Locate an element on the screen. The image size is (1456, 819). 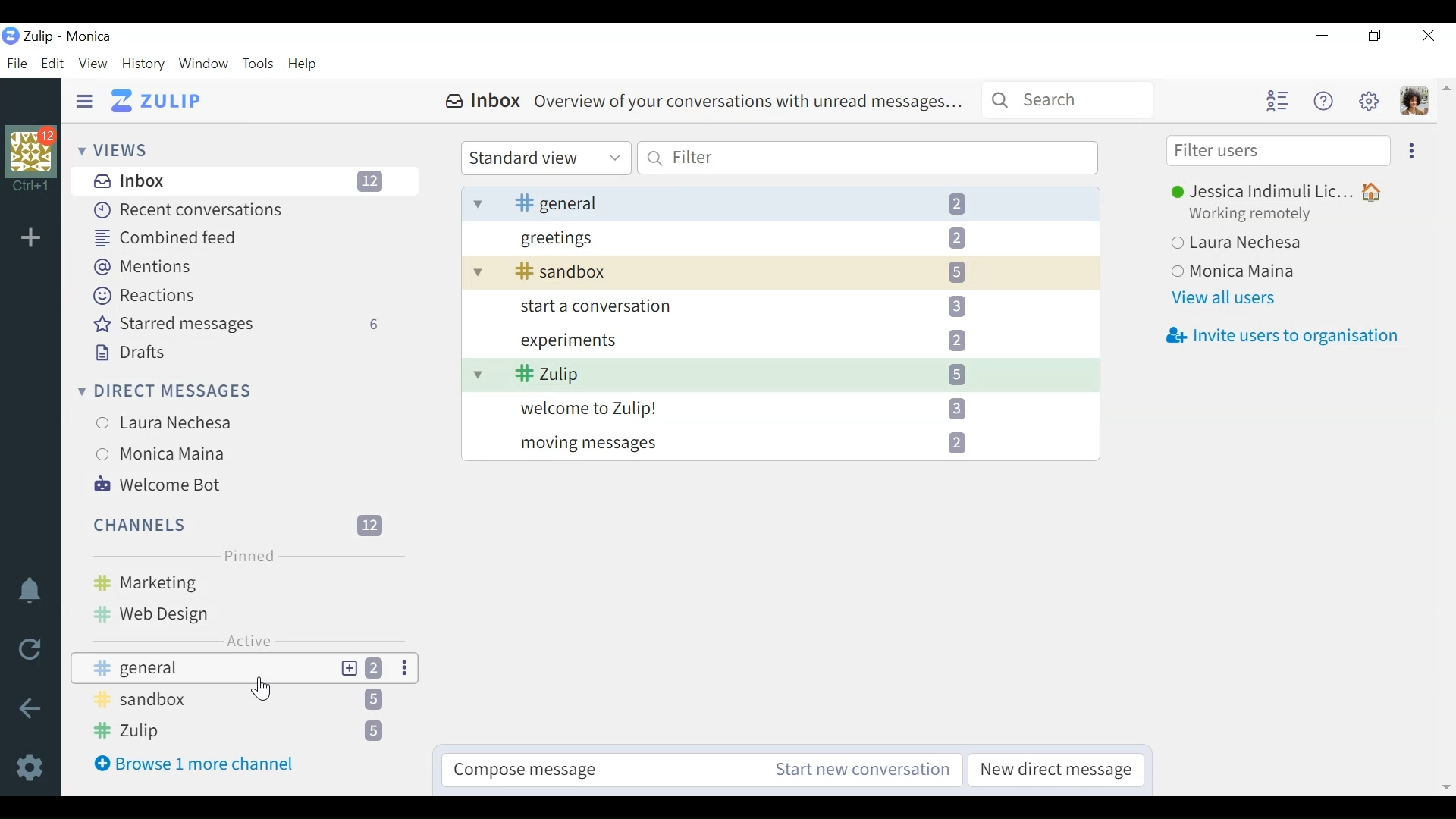
Edit is located at coordinates (51, 64).